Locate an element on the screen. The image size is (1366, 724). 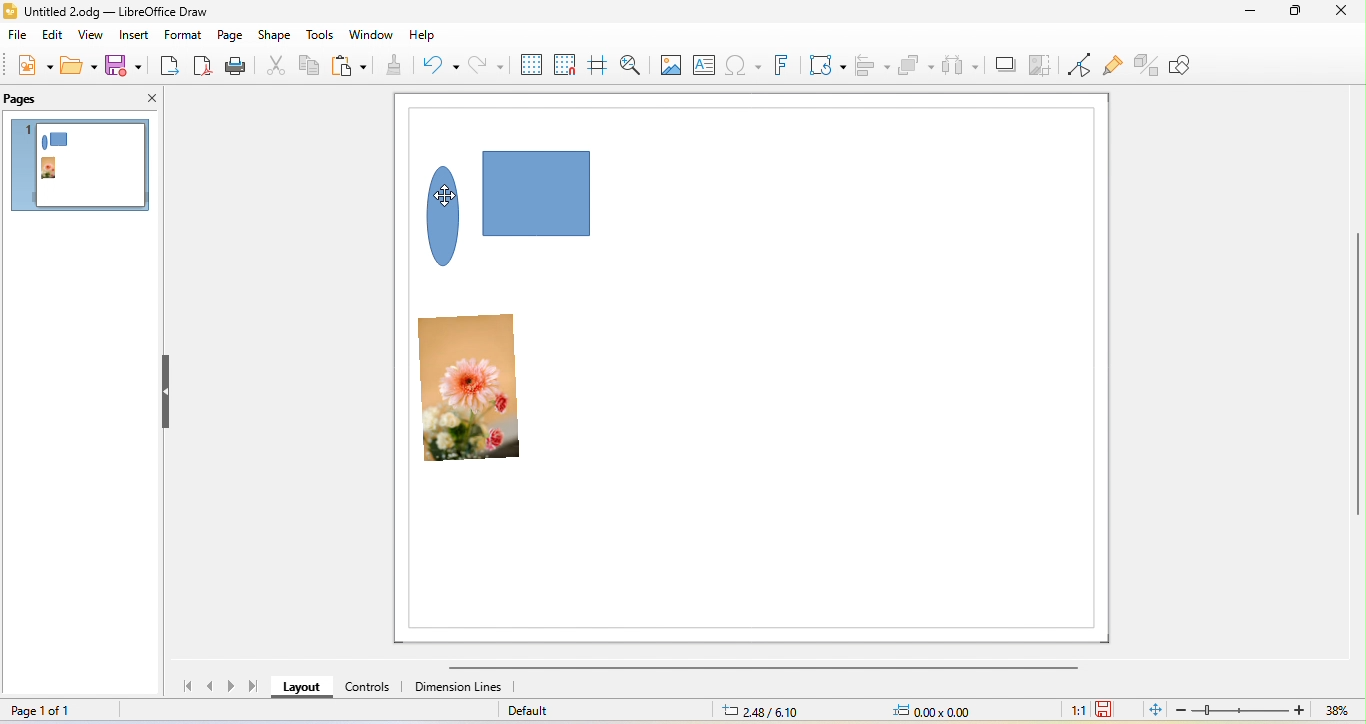
0.00x0.00 is located at coordinates (946, 712).